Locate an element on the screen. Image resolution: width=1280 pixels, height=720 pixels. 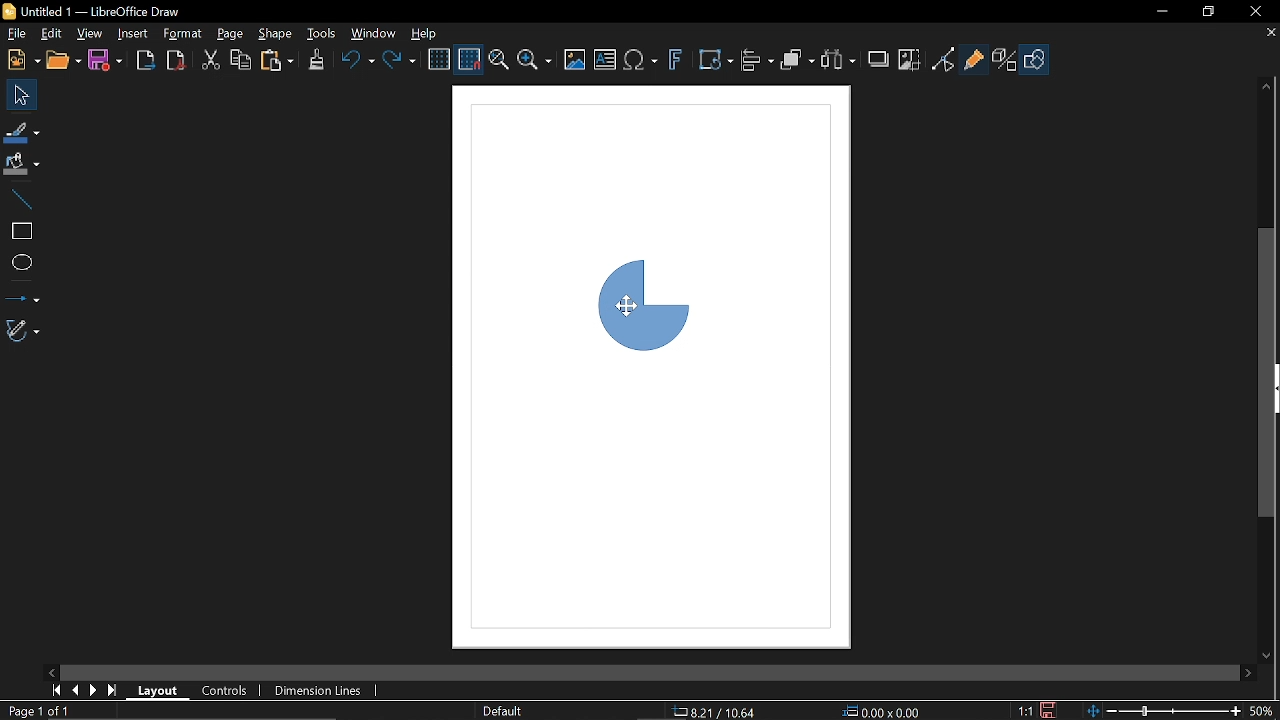
Insert image is located at coordinates (604, 59).